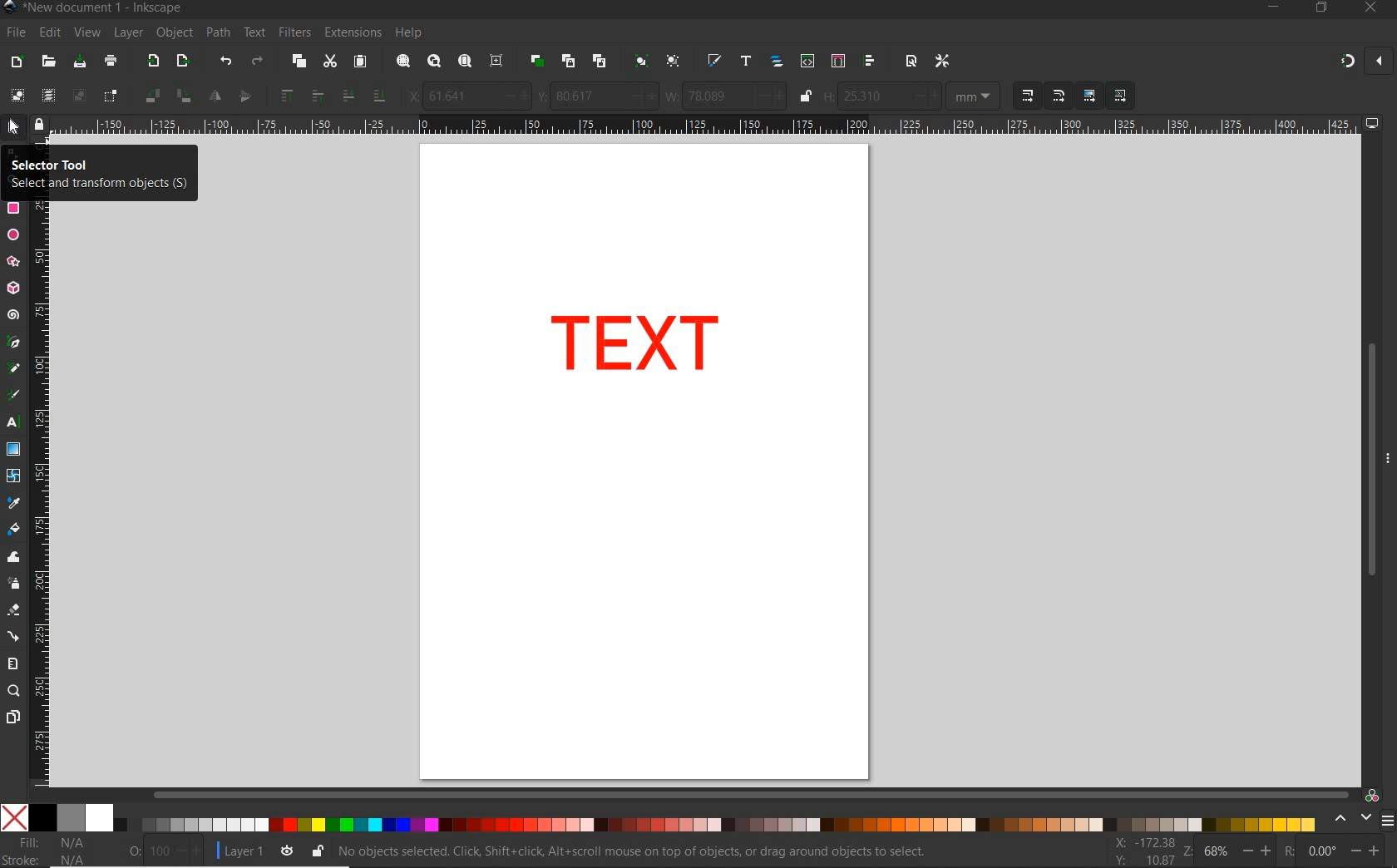 The height and width of the screenshot is (868, 1397). Describe the element at coordinates (80, 62) in the screenshot. I see `save` at that location.